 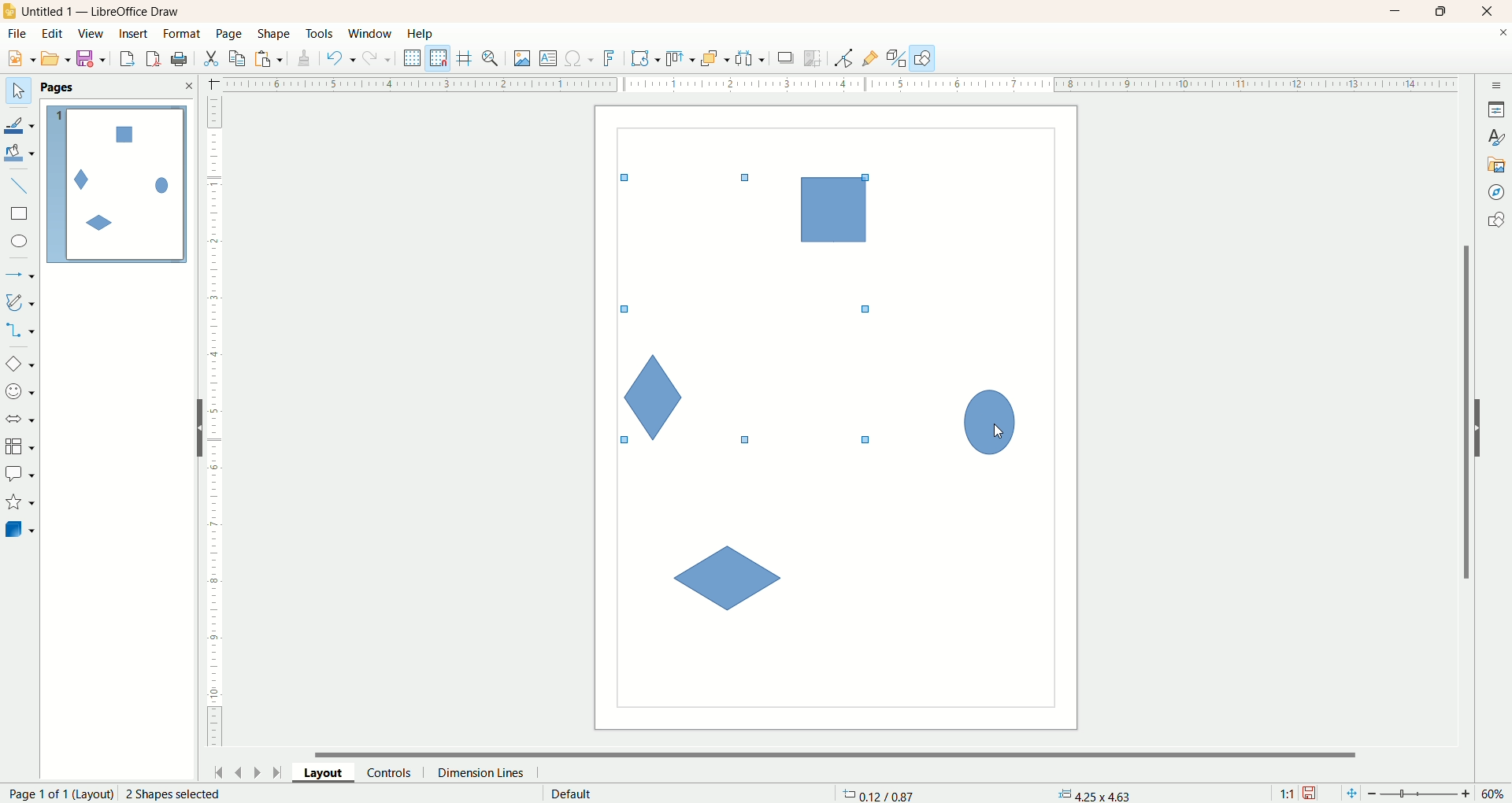 What do you see at coordinates (94, 59) in the screenshot?
I see `save` at bounding box center [94, 59].